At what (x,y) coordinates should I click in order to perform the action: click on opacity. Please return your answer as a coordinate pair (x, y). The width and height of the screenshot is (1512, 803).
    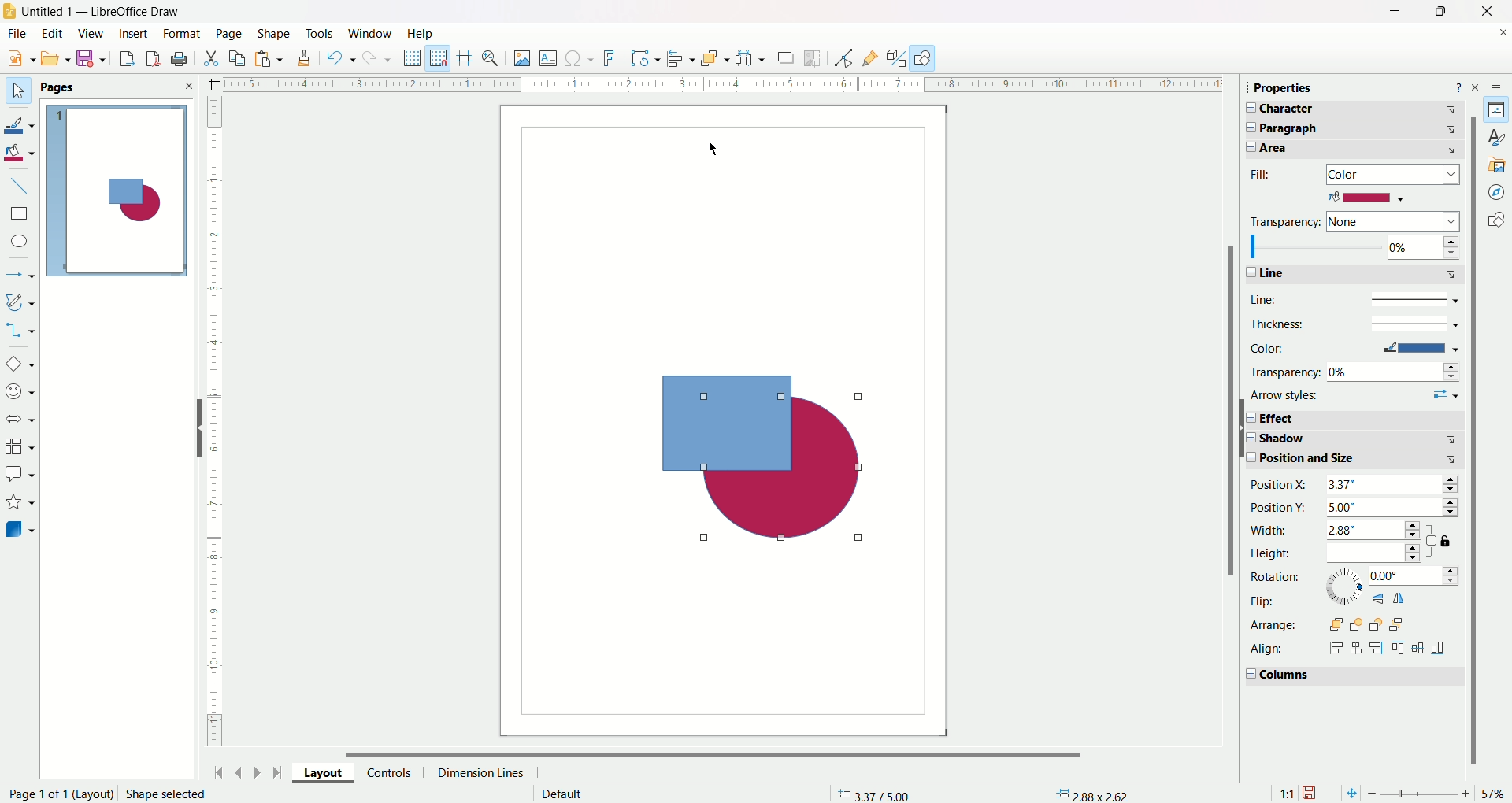
    Looking at the image, I should click on (1353, 248).